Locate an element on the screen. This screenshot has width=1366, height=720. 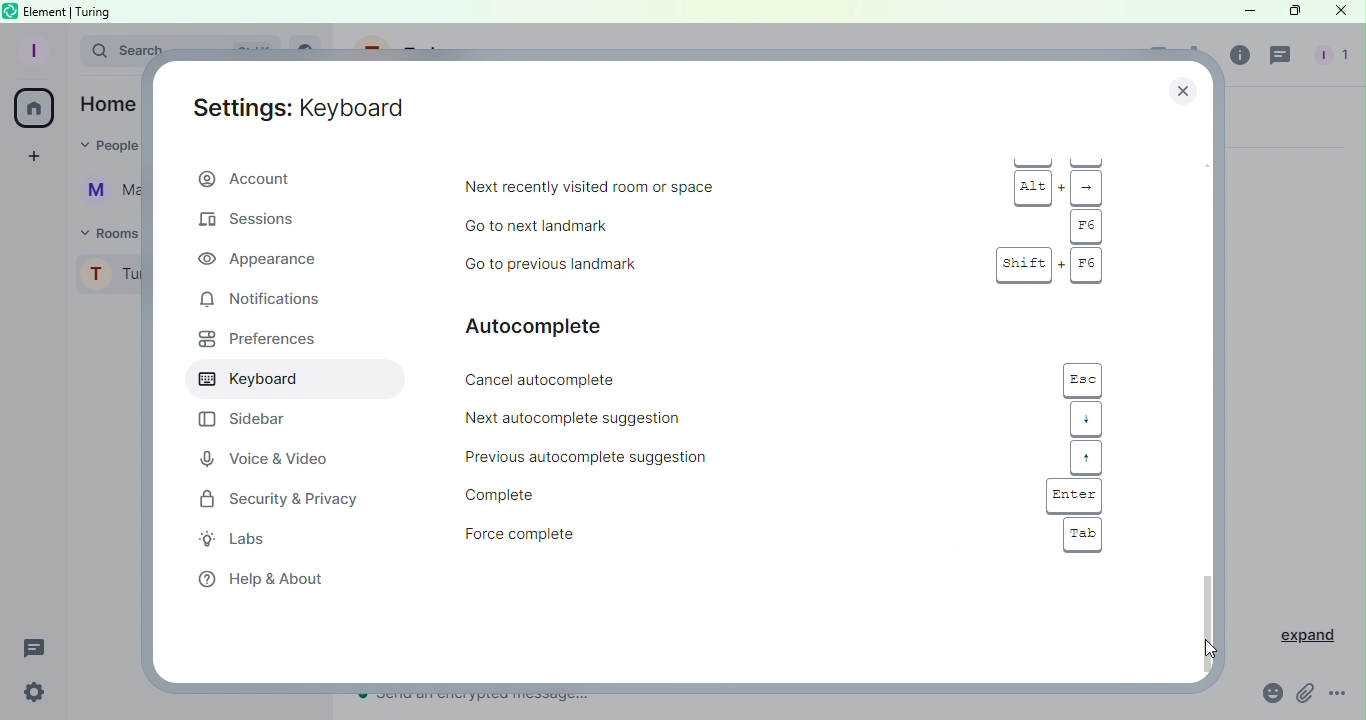
Create a space is located at coordinates (30, 159).